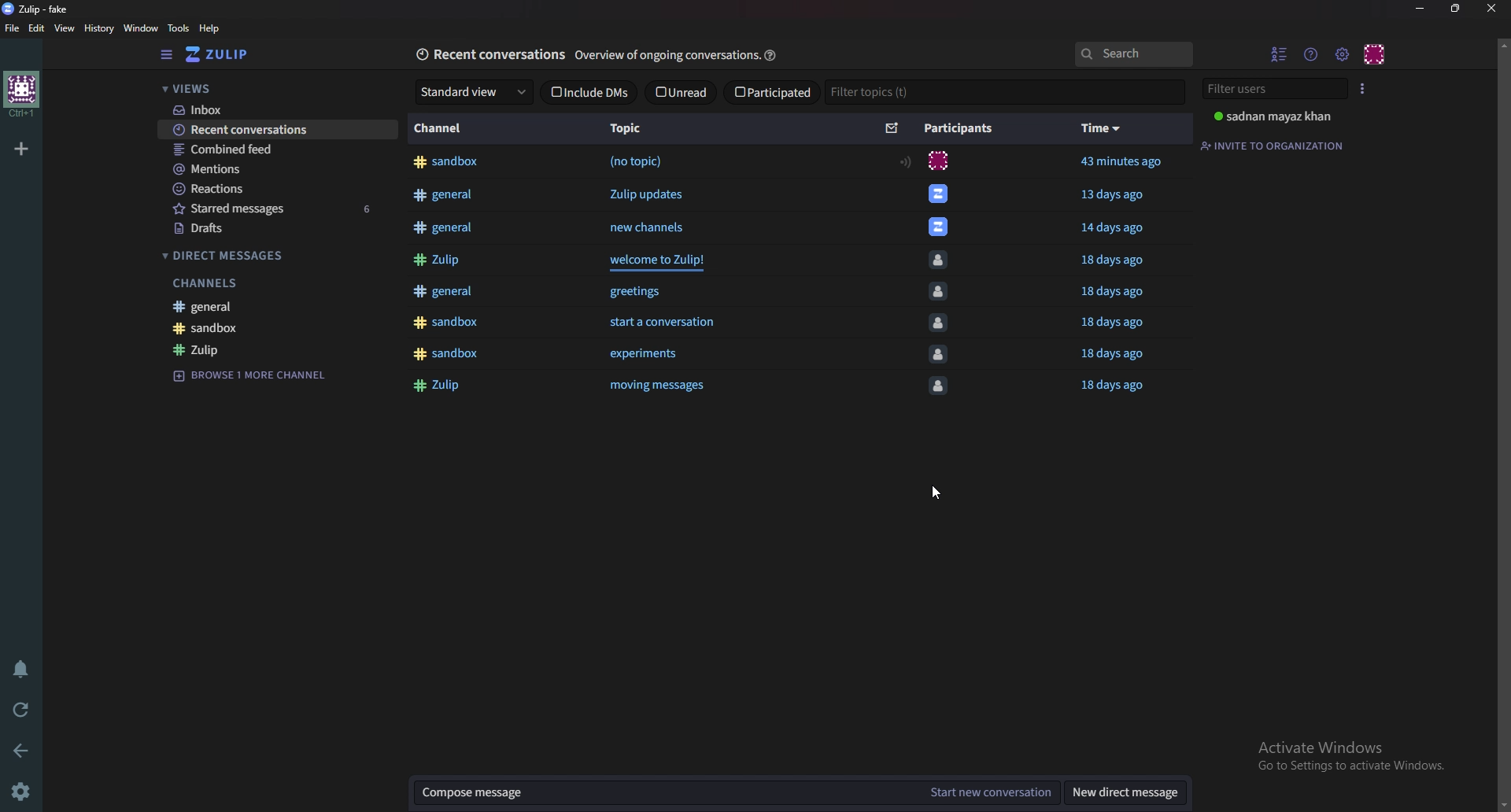  Describe the element at coordinates (209, 28) in the screenshot. I see `help` at that location.